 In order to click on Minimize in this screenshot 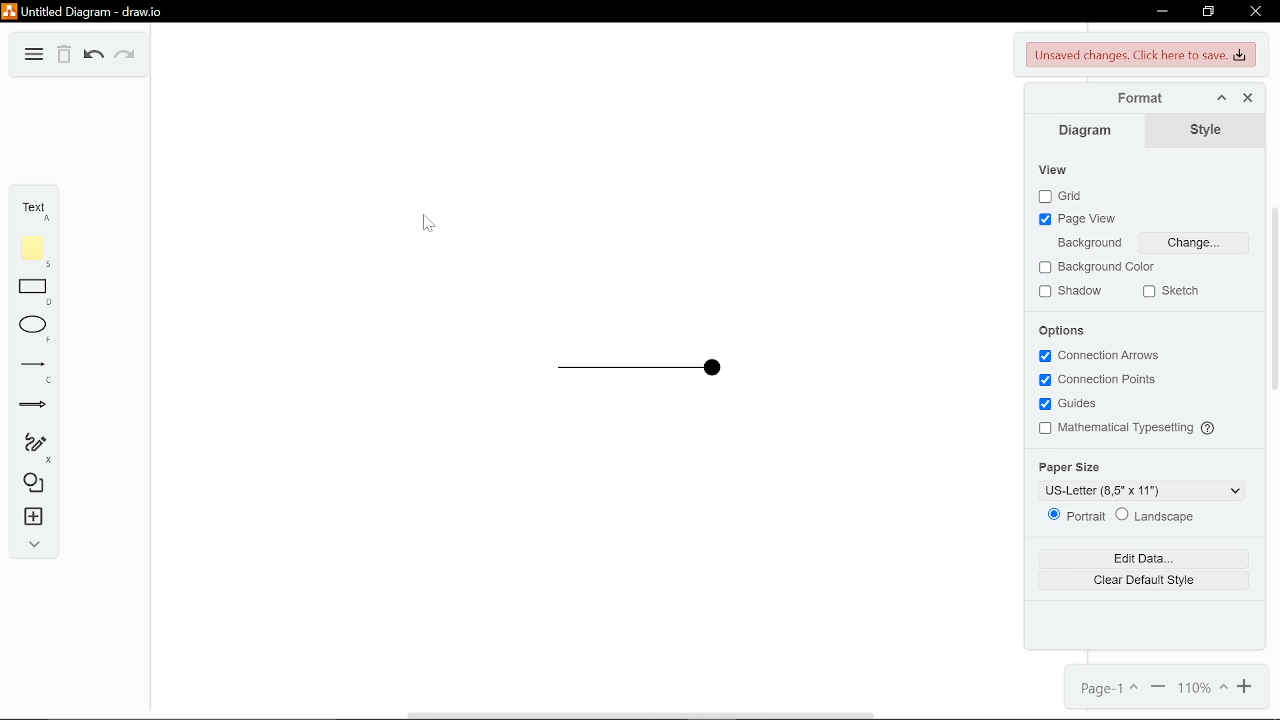, I will do `click(1160, 11)`.